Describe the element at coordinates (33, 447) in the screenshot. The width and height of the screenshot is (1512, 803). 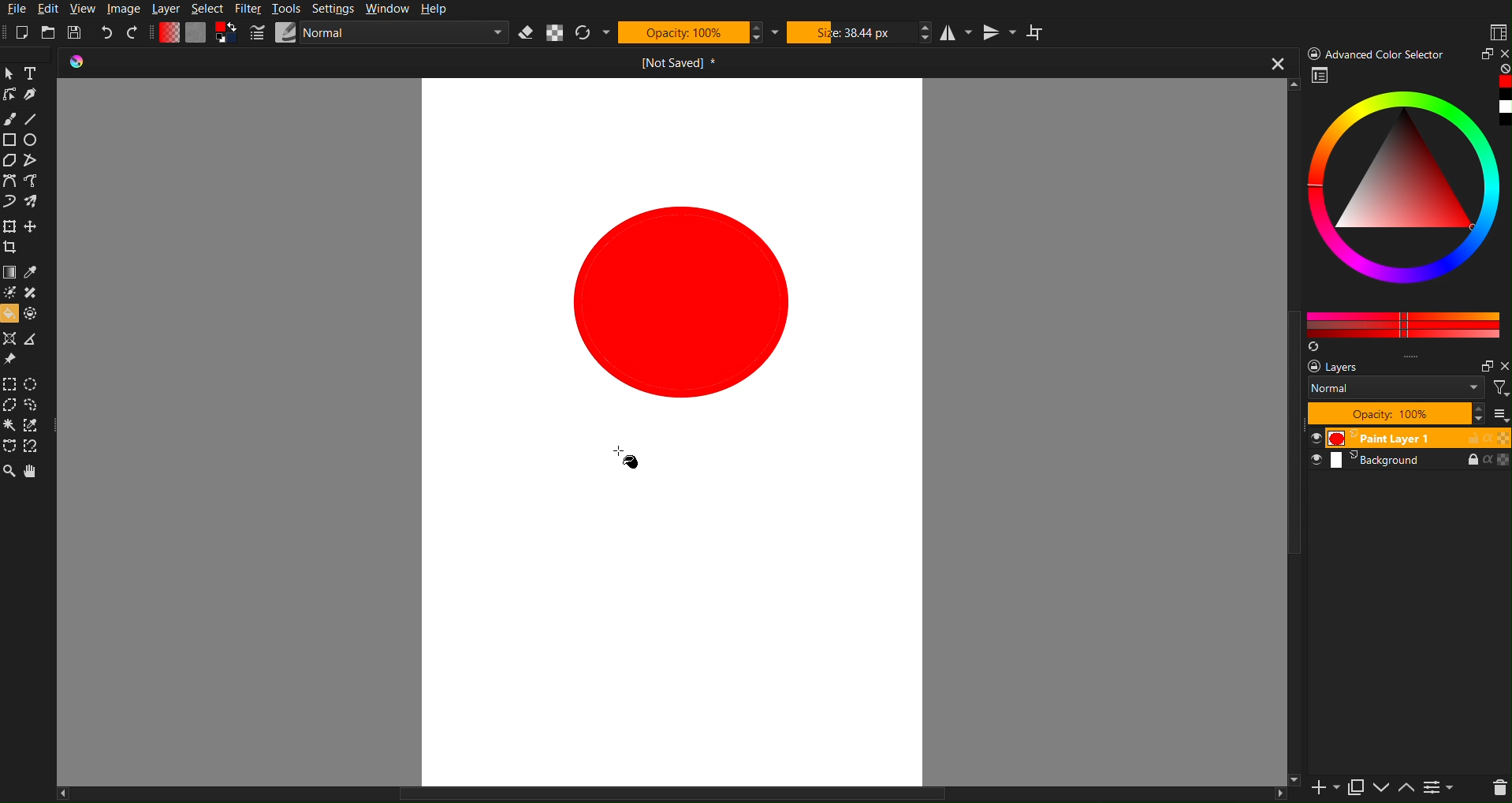
I see `Magnetic Curve` at that location.